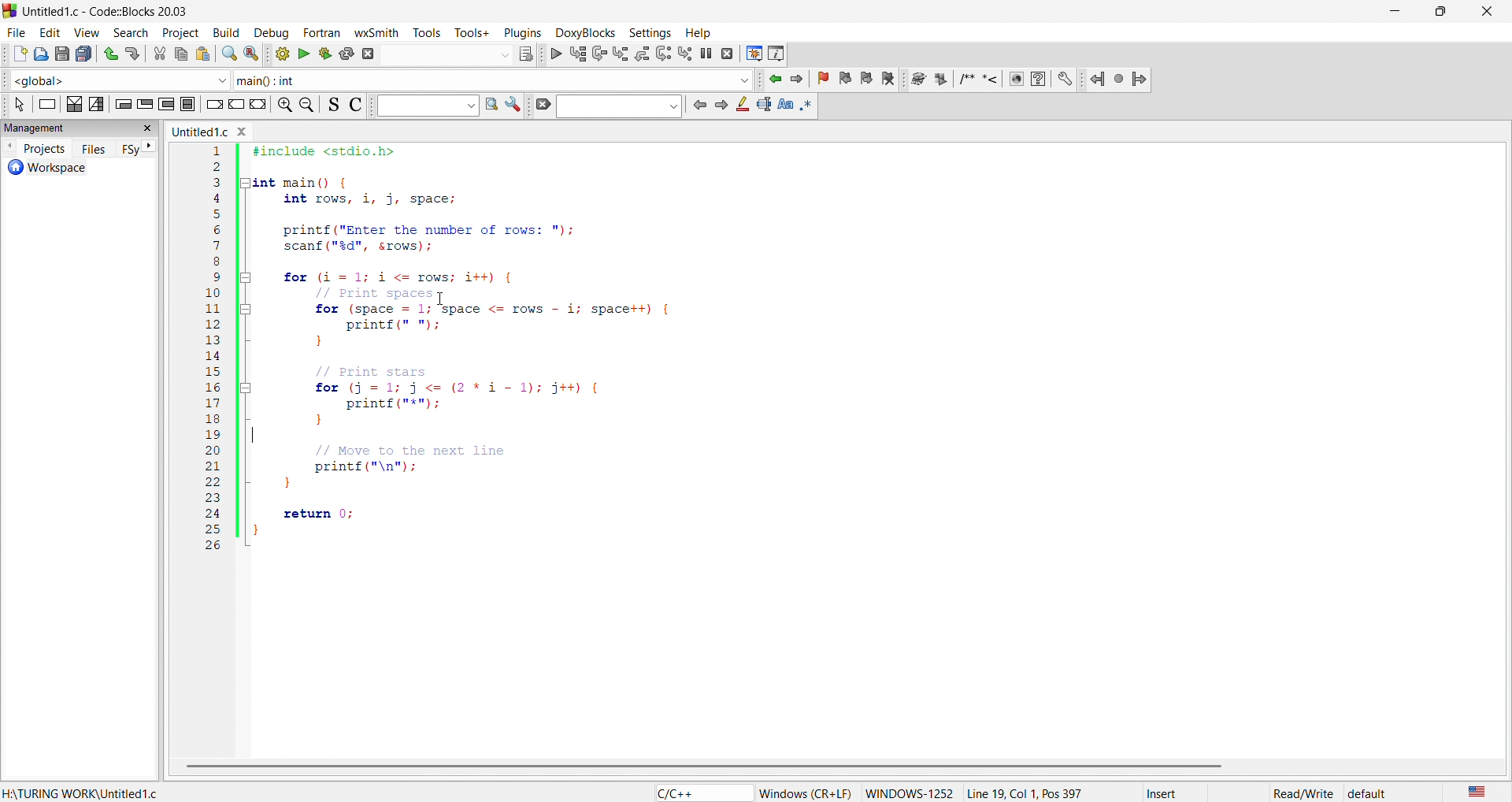 The width and height of the screenshot is (1512, 802). I want to click on instruction, so click(45, 104).